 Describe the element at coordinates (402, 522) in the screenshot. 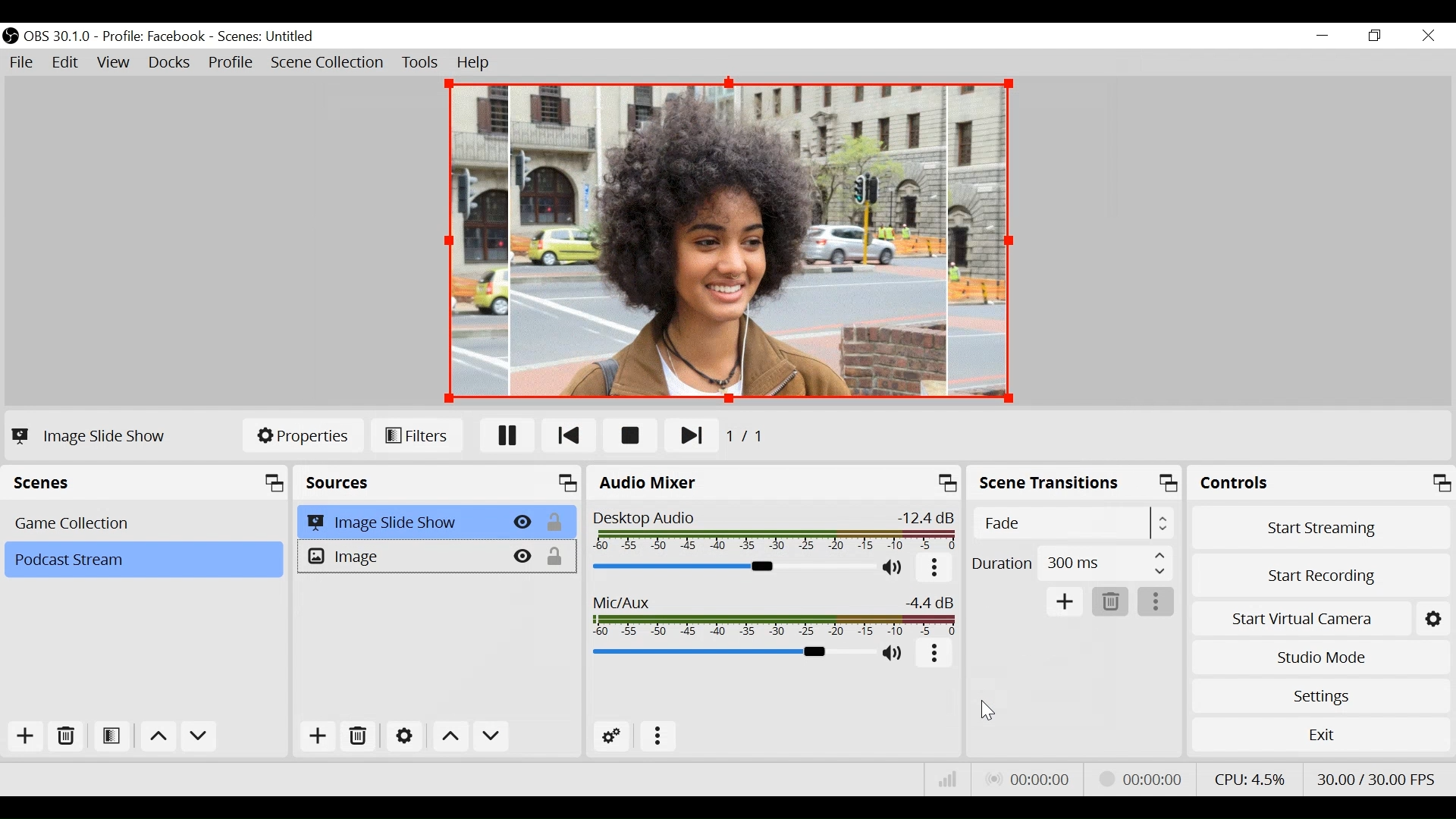

I see `Image Slide Show` at that location.